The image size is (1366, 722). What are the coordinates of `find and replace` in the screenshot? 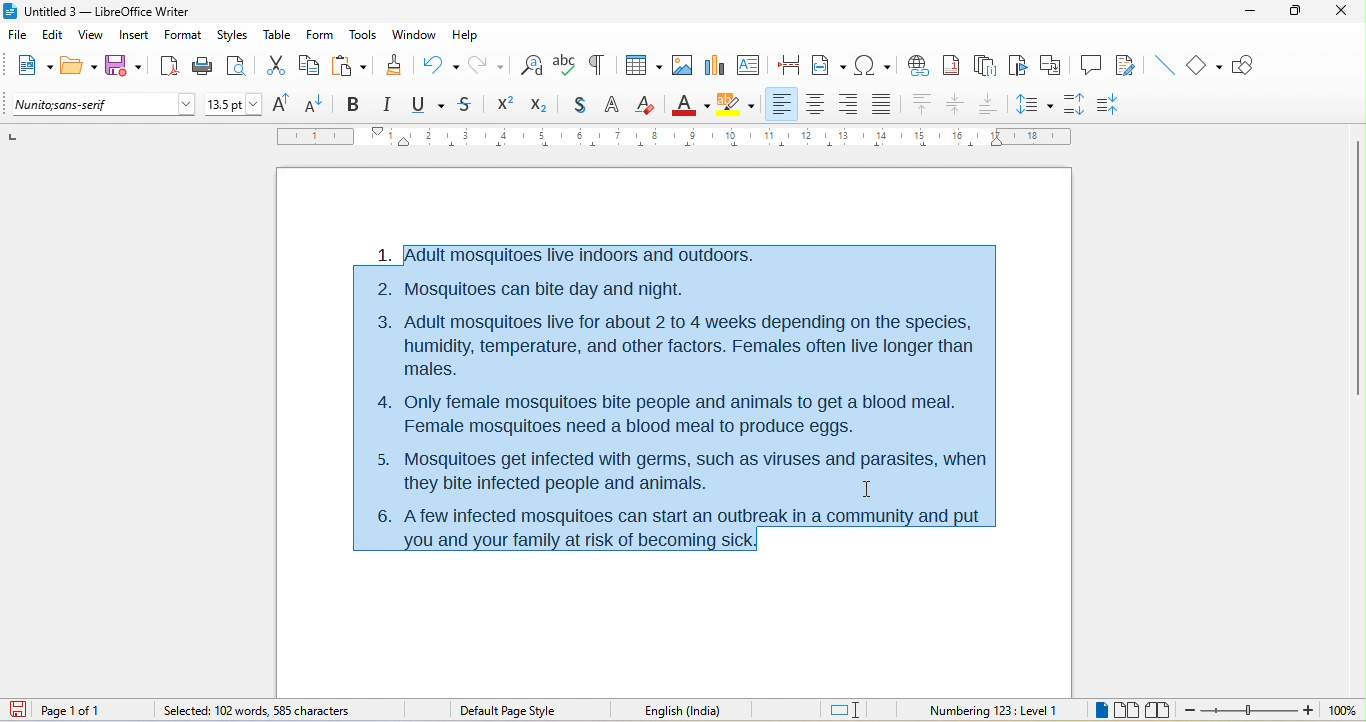 It's located at (532, 63).